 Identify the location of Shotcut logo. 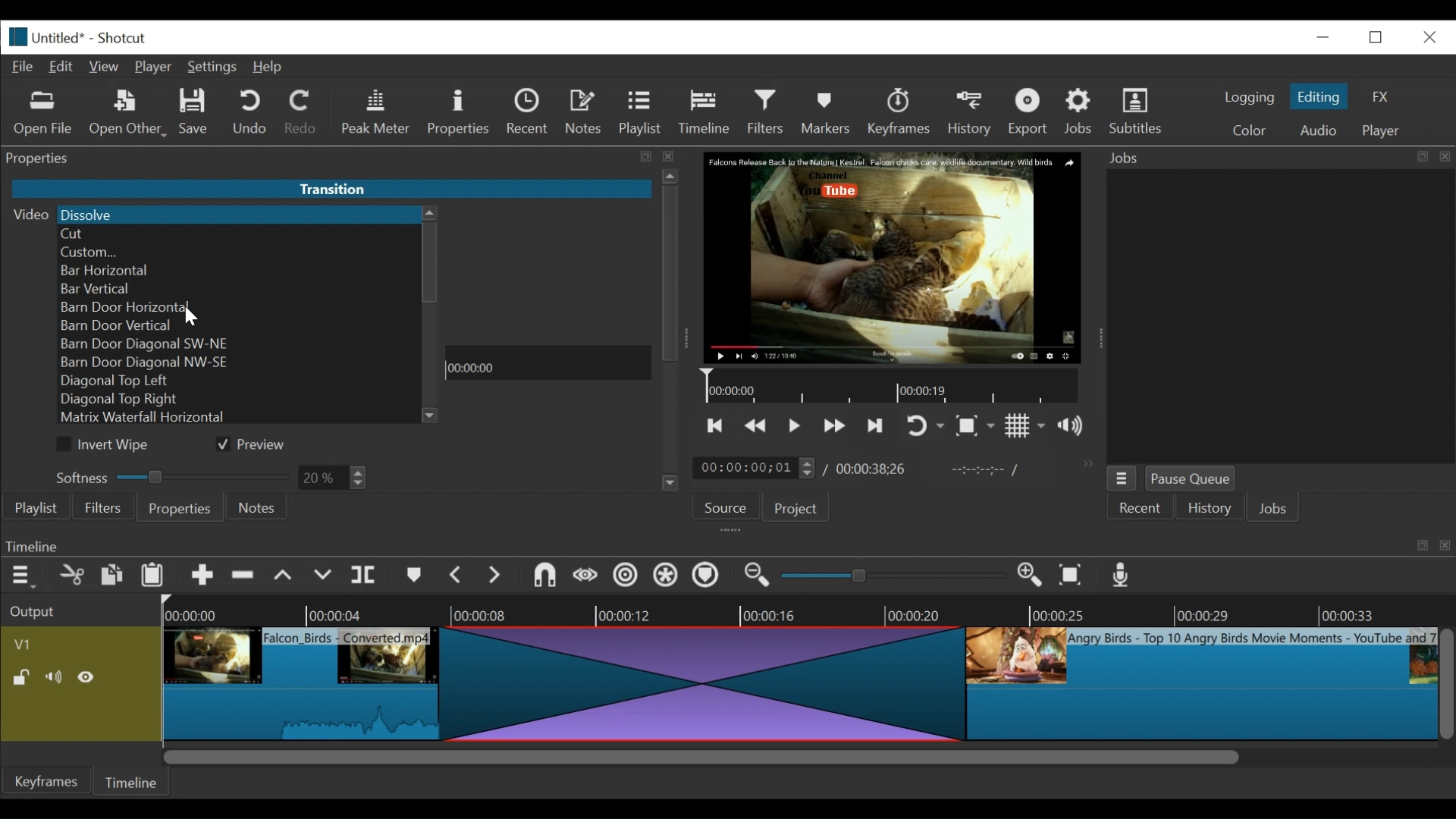
(14, 35).